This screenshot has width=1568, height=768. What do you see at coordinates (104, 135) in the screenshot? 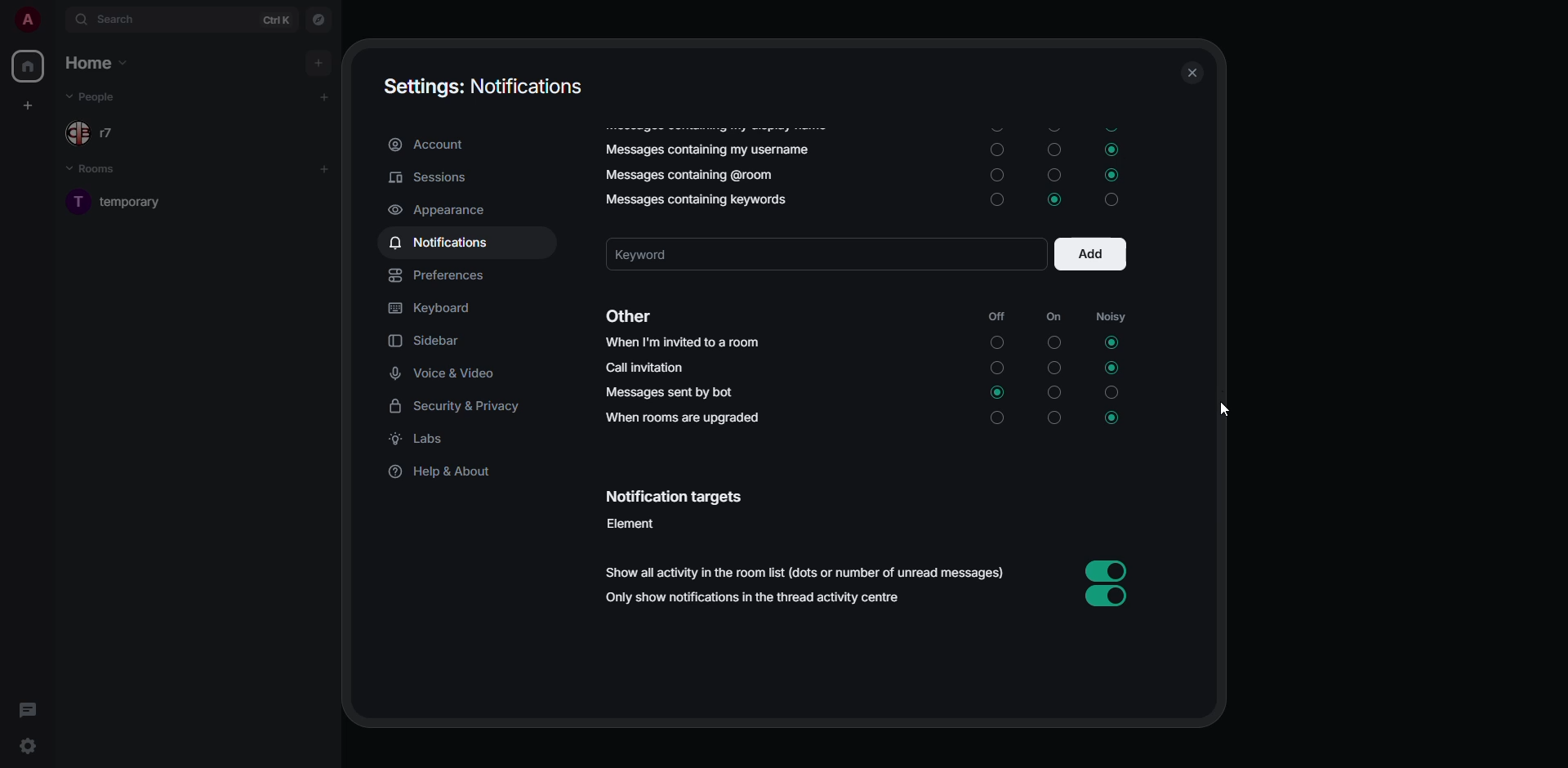
I see `people` at bounding box center [104, 135].